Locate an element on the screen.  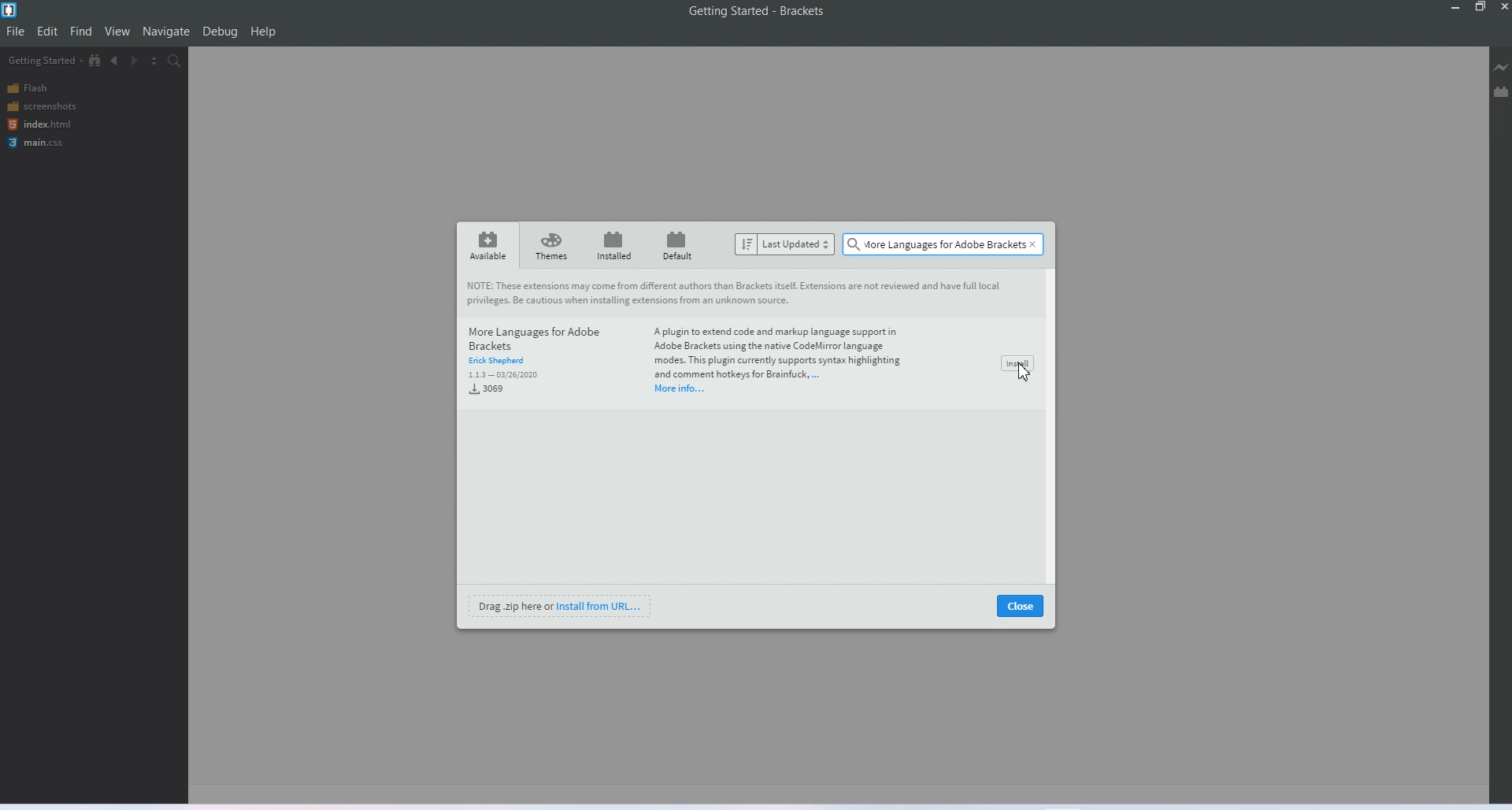
And more language for adobe brackets is located at coordinates (536, 336).